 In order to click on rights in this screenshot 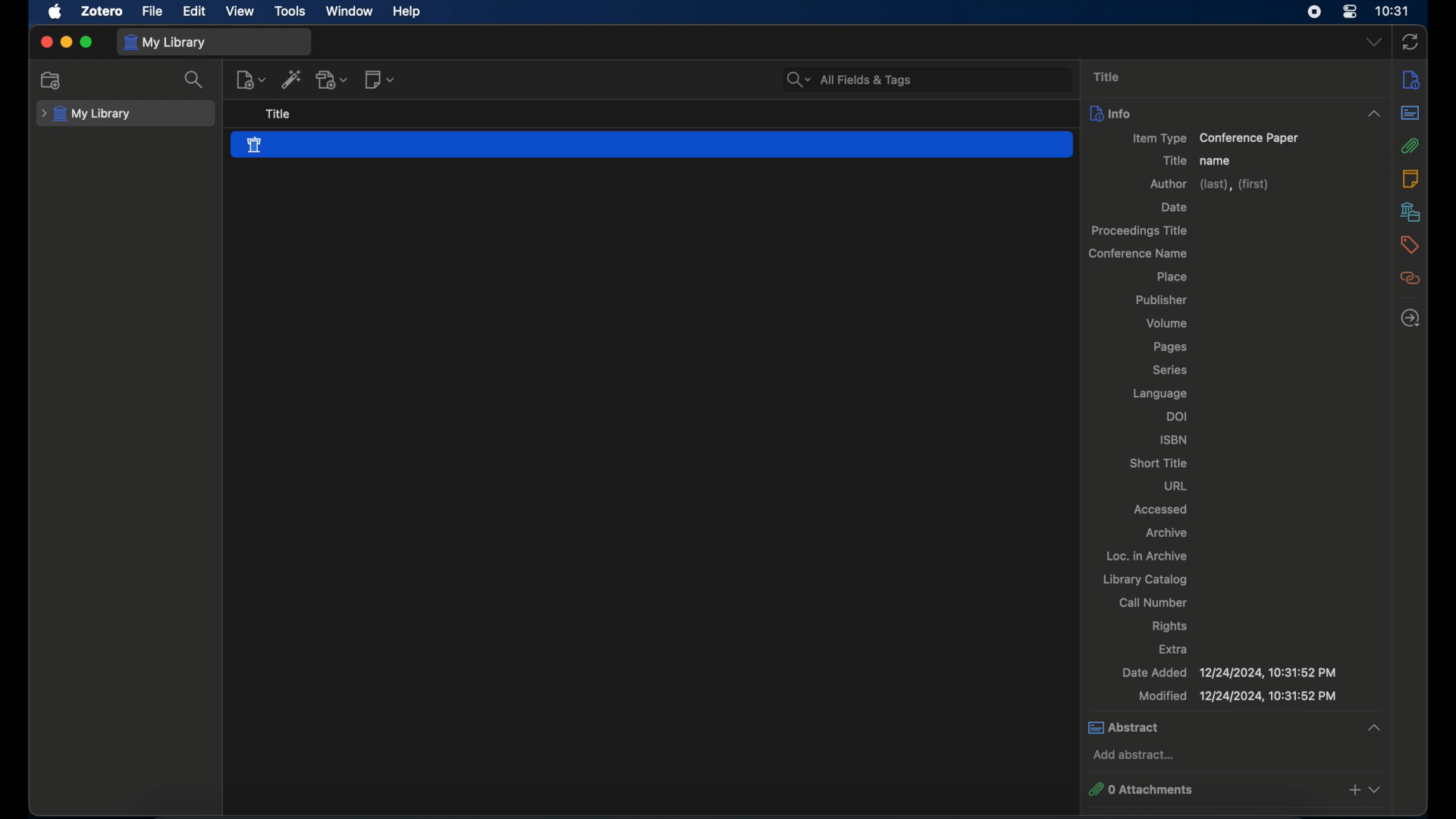, I will do `click(1170, 626)`.